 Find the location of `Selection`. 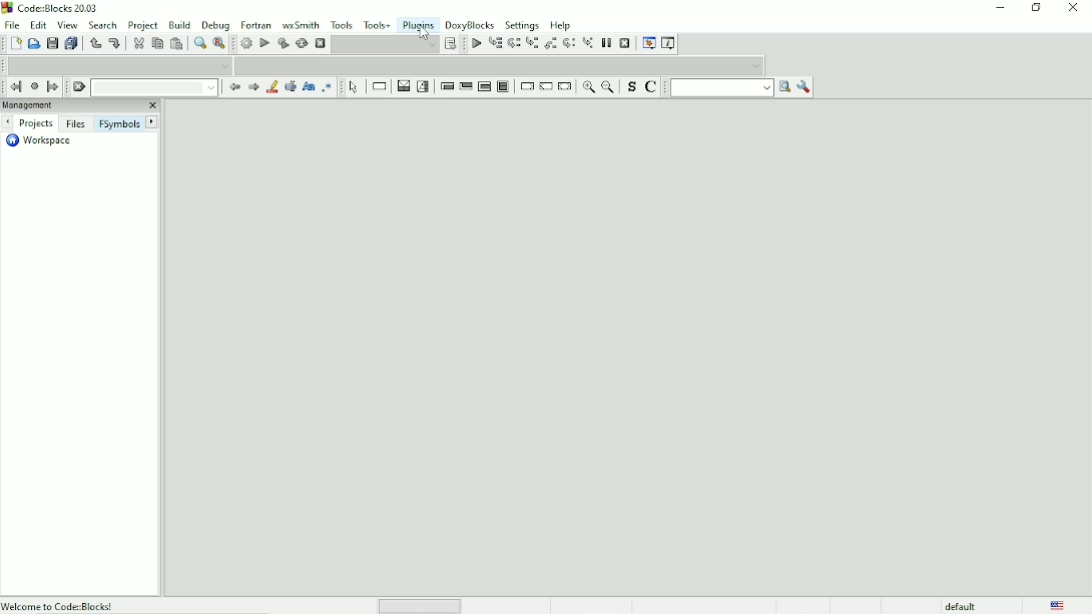

Selection is located at coordinates (423, 86).